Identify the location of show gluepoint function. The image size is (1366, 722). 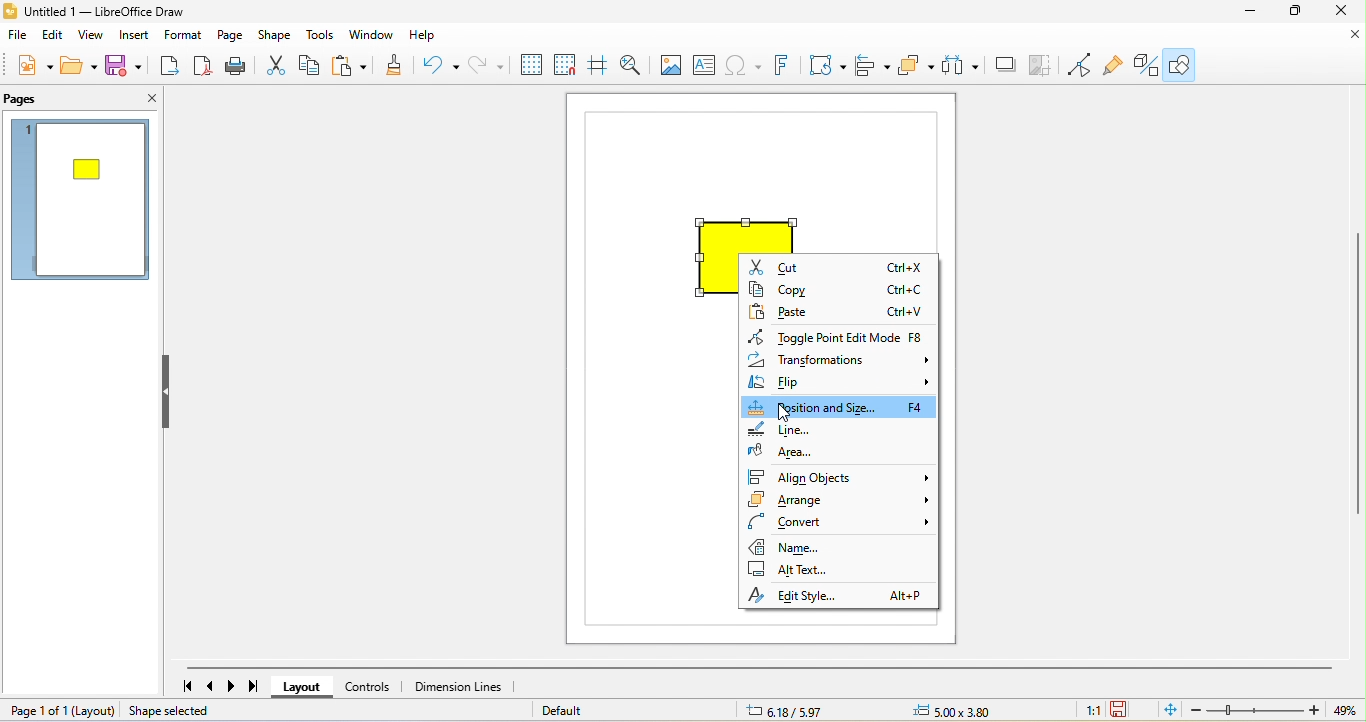
(1114, 64).